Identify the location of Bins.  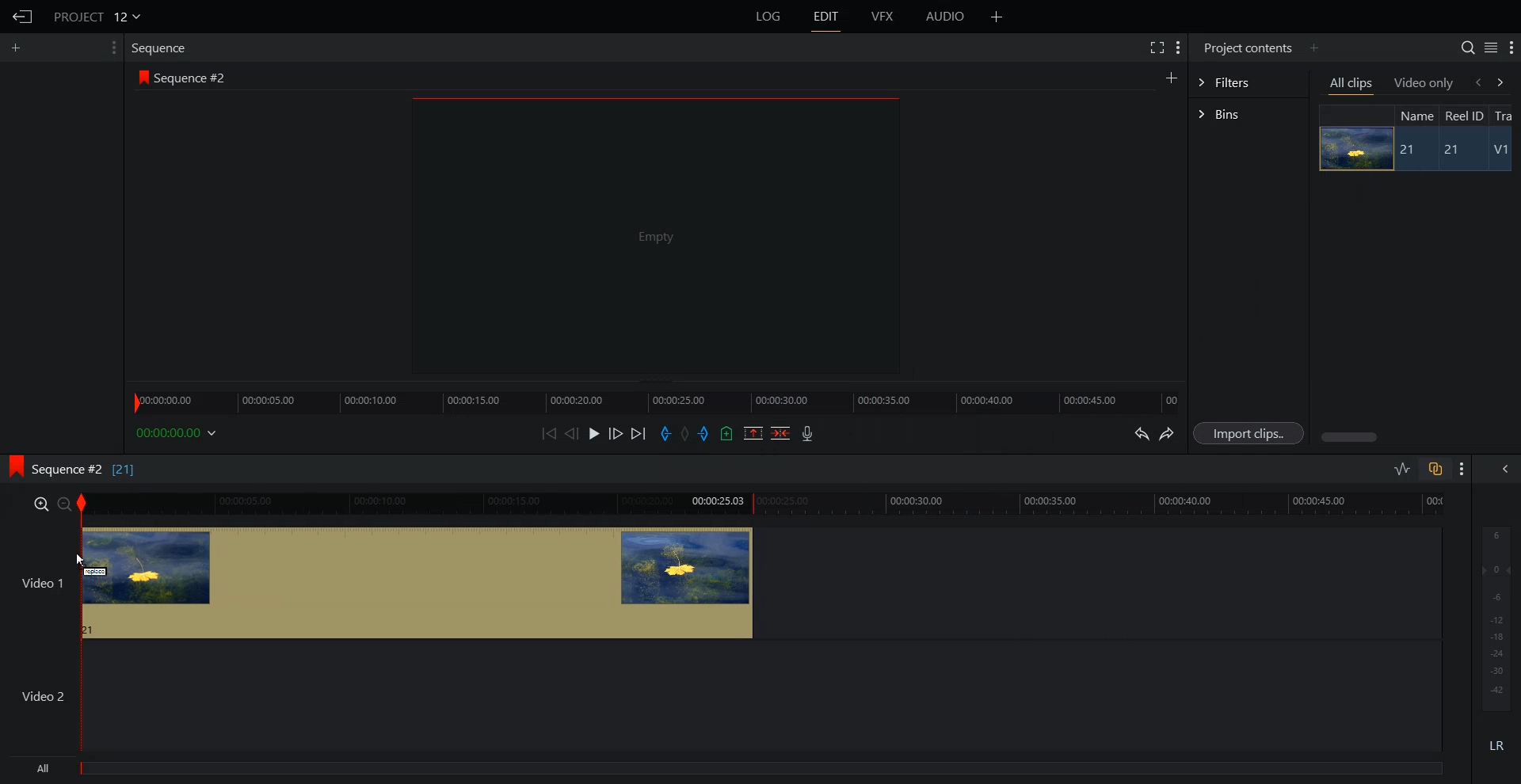
(1248, 116).